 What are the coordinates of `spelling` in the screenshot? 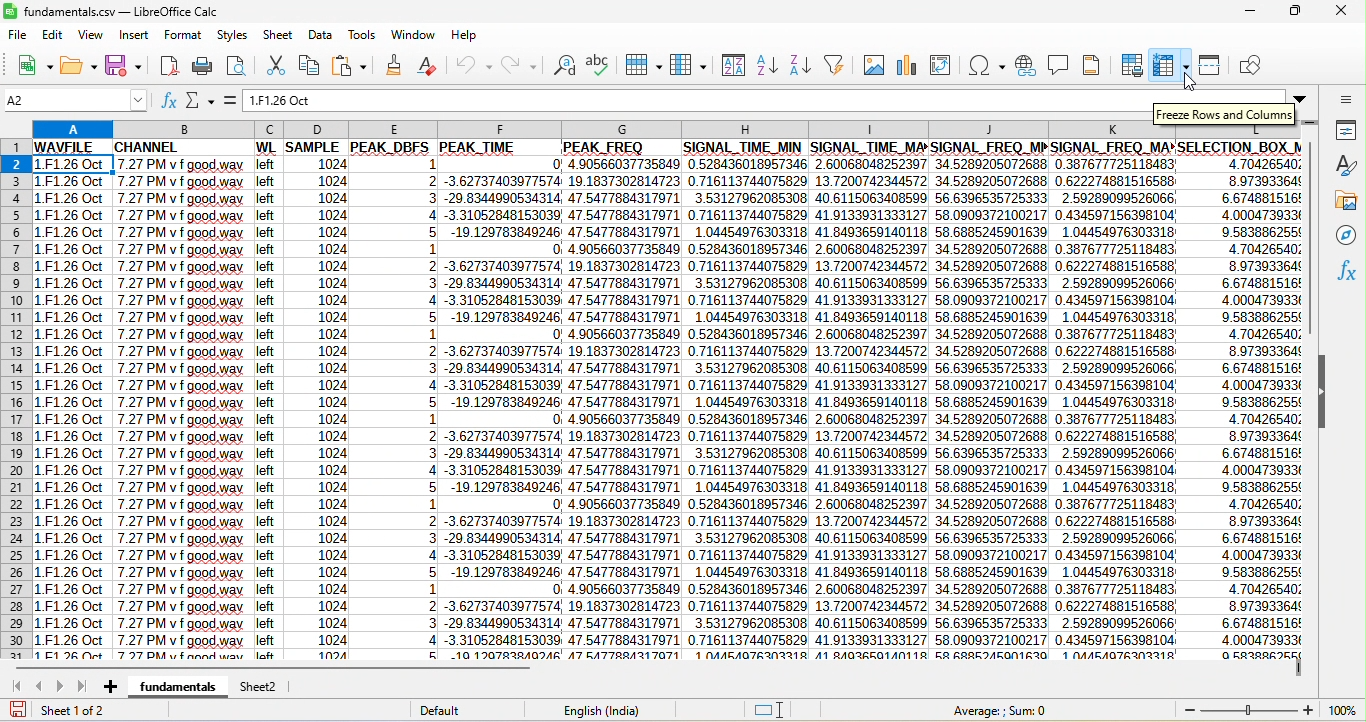 It's located at (600, 60).